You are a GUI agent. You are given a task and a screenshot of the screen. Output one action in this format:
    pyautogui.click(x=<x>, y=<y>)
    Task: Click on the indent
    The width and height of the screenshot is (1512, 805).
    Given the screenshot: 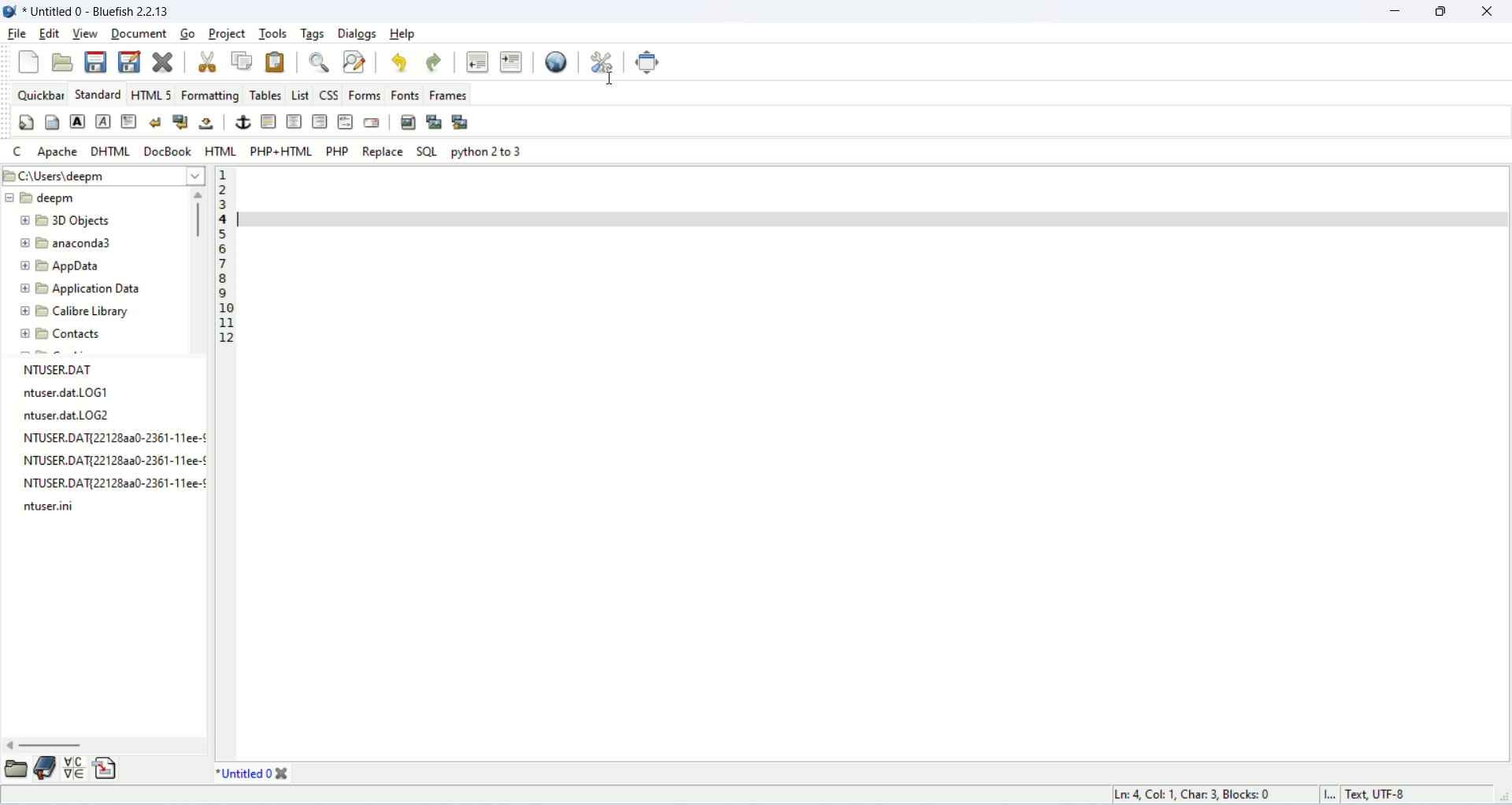 What is the action you would take?
    pyautogui.click(x=512, y=61)
    